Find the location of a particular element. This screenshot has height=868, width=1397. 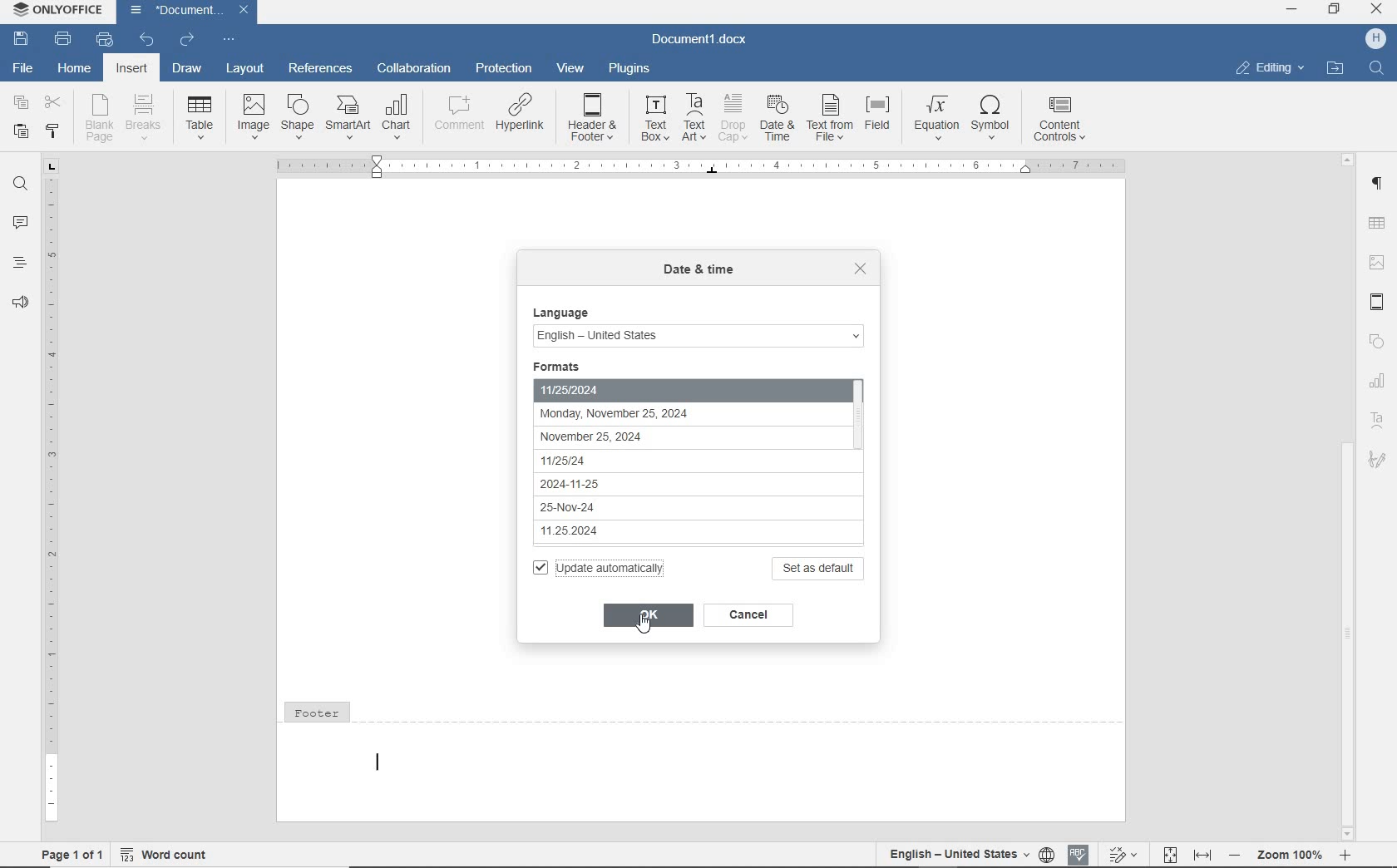

symbol is located at coordinates (995, 118).